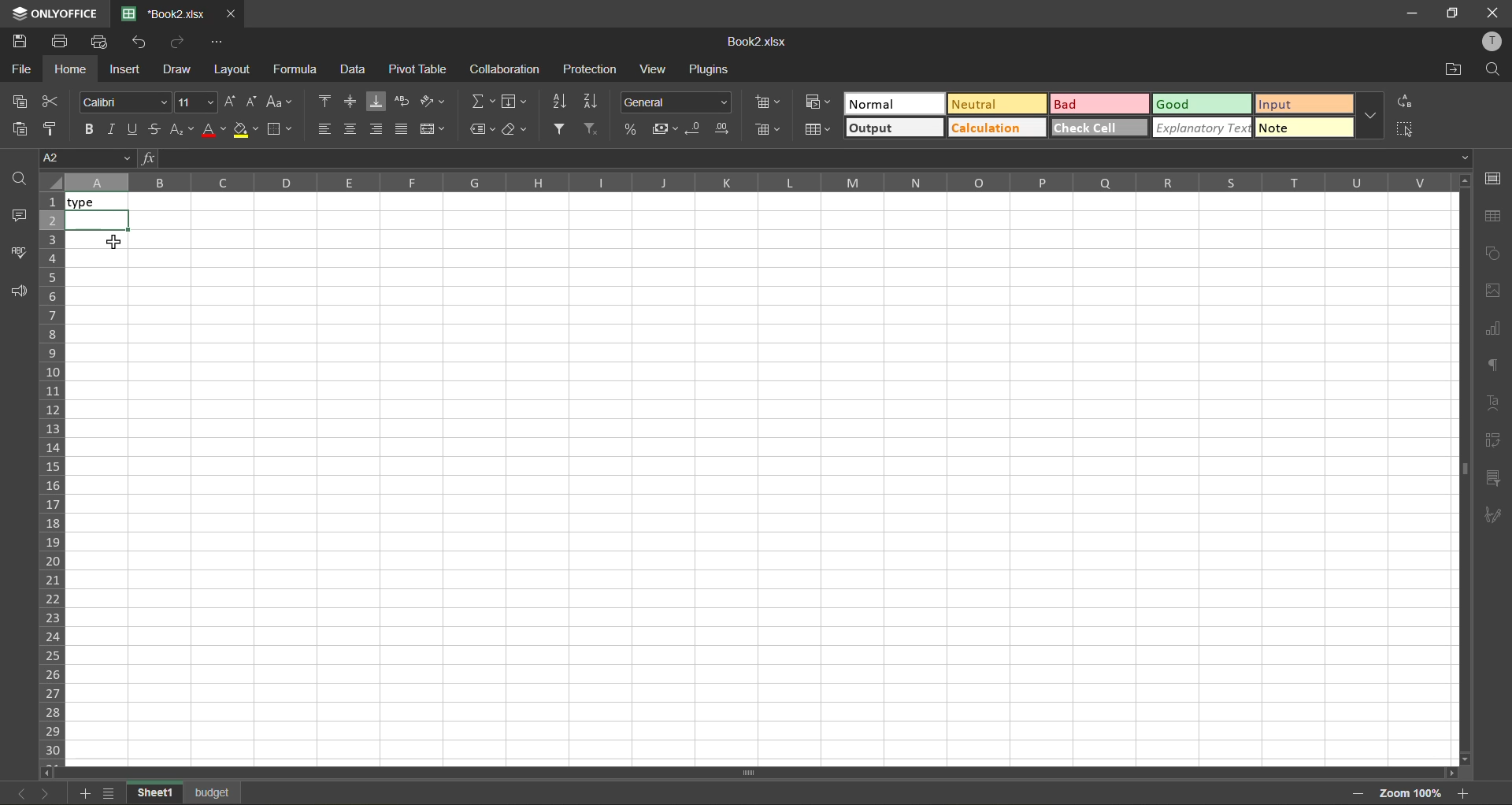  I want to click on zoom out, so click(1357, 793).